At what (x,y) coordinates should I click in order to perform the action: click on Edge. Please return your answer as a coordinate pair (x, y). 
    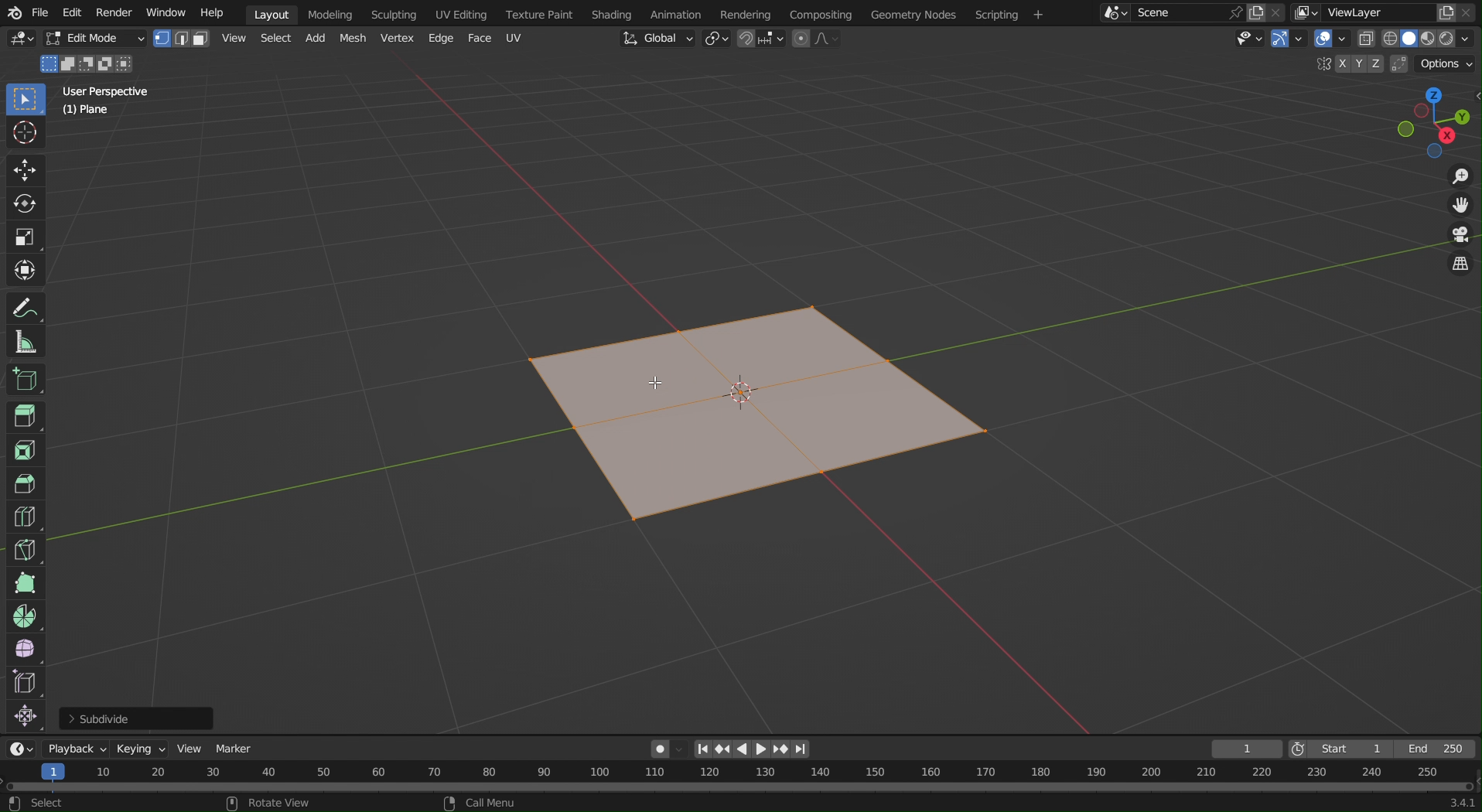
    Looking at the image, I should click on (439, 39).